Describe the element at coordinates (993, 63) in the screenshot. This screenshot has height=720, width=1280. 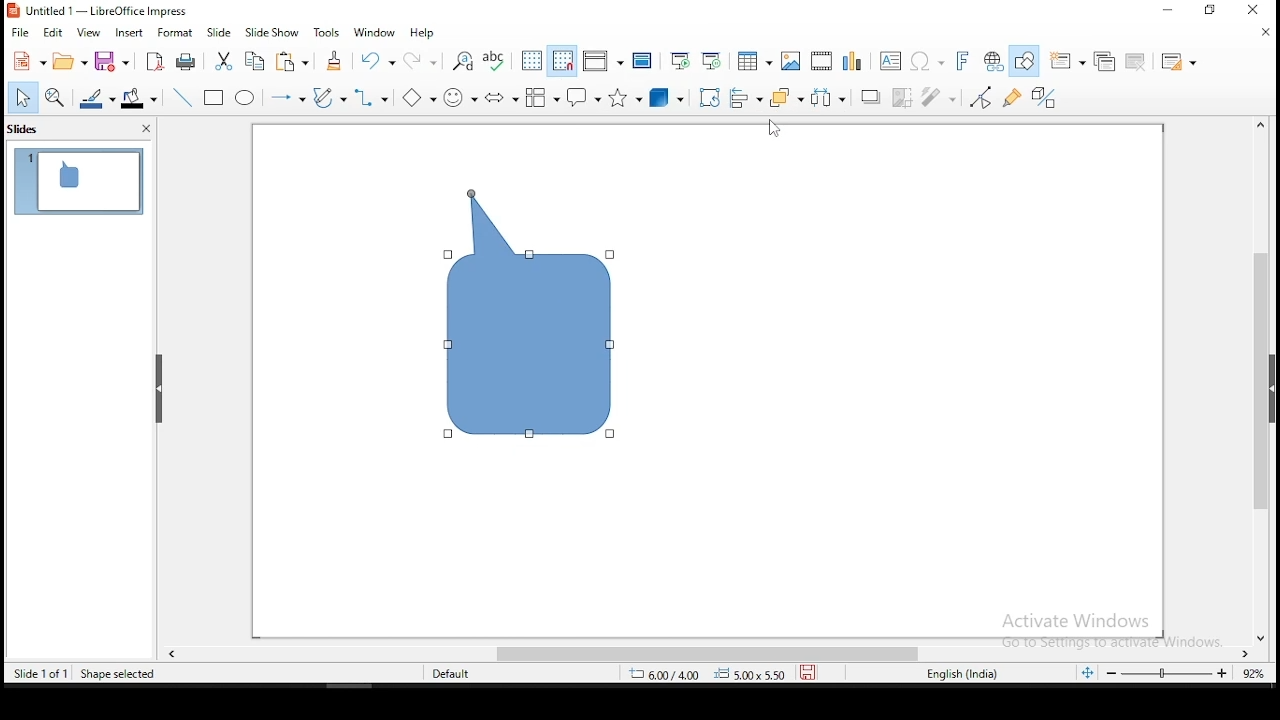
I see `insert hyperlink` at that location.